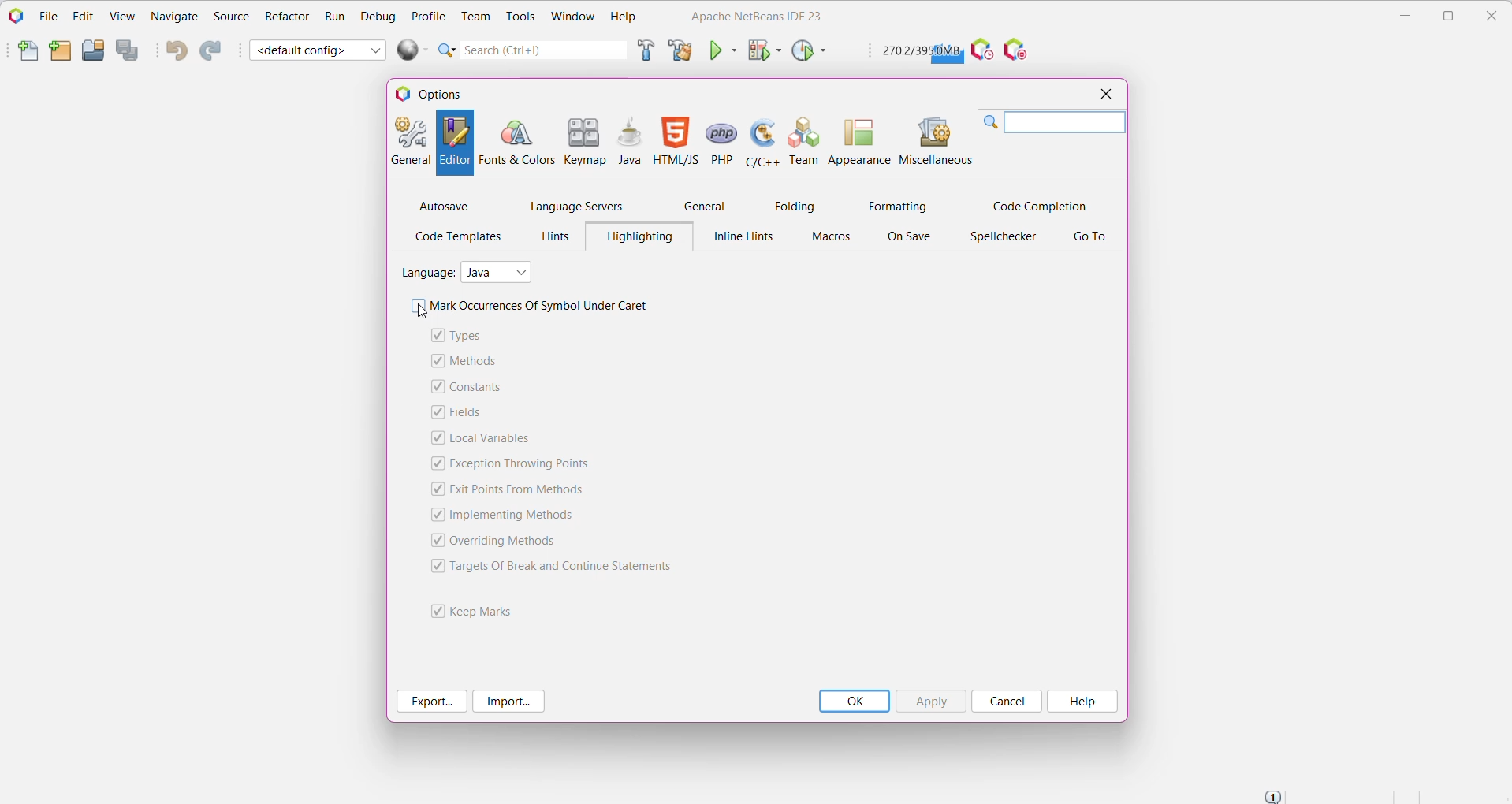 This screenshot has height=804, width=1512. What do you see at coordinates (418, 313) in the screenshot?
I see `cursor` at bounding box center [418, 313].